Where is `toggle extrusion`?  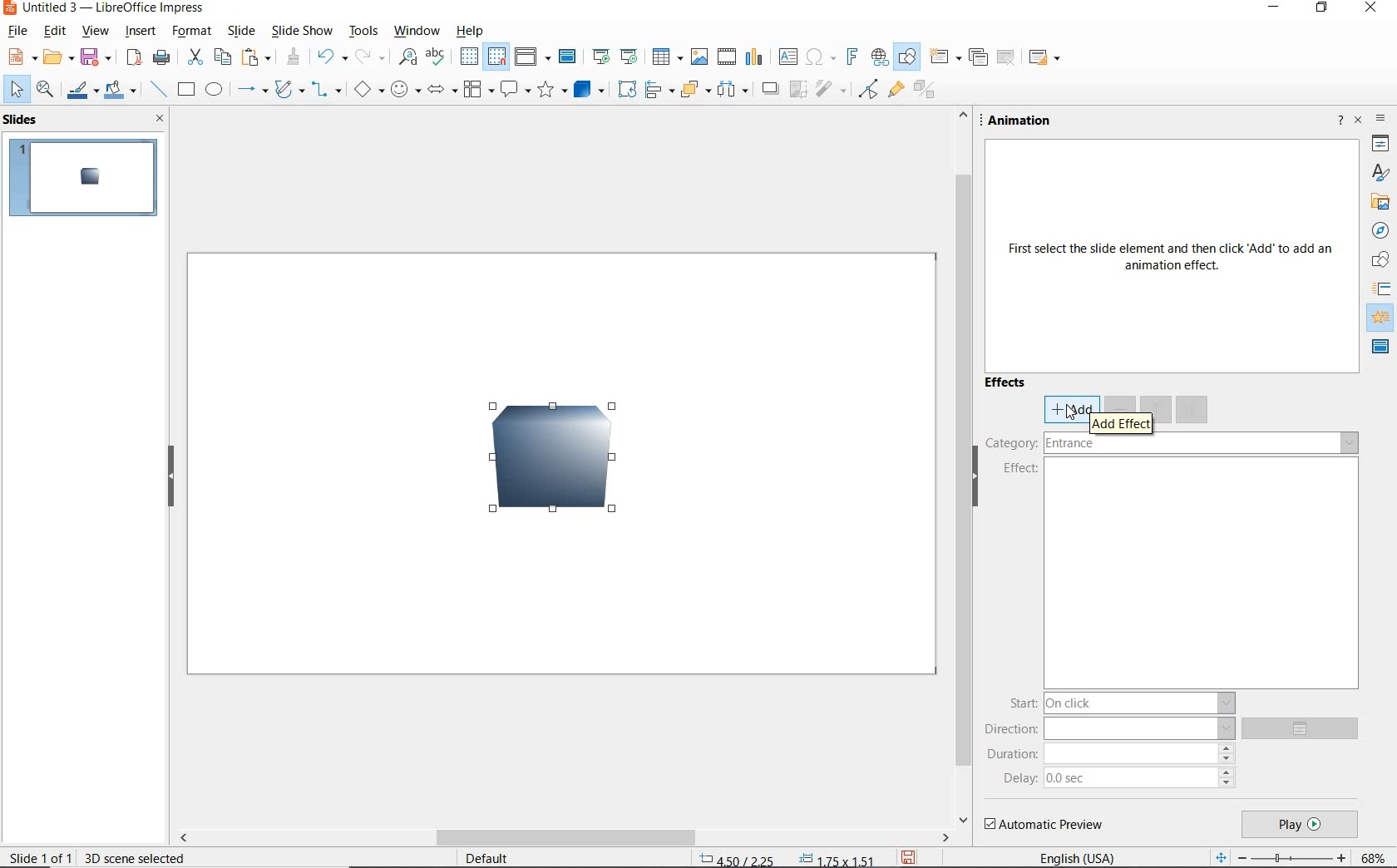
toggle extrusion is located at coordinates (927, 92).